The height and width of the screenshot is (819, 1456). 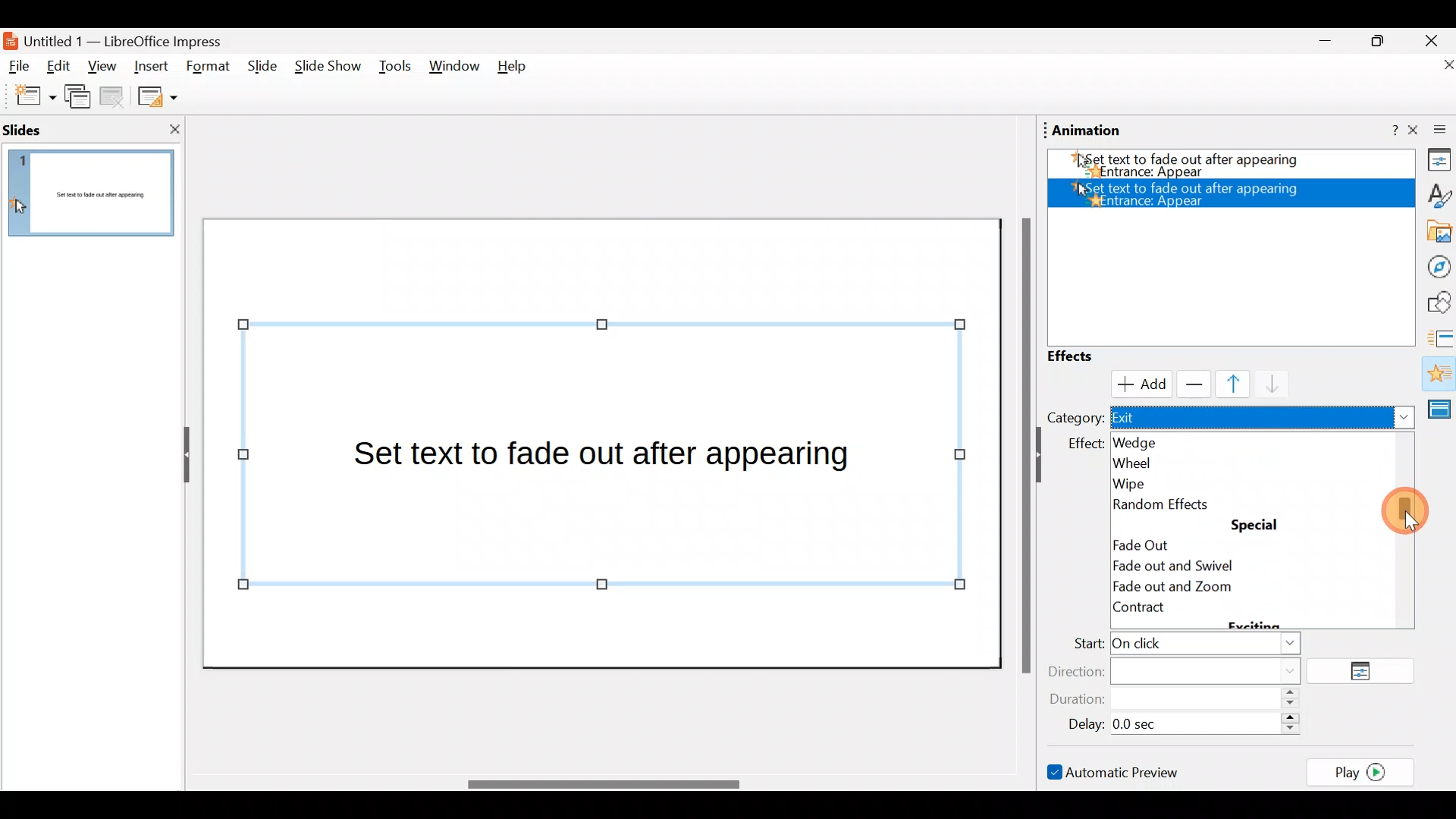 I want to click on Move down, so click(x=1266, y=385).